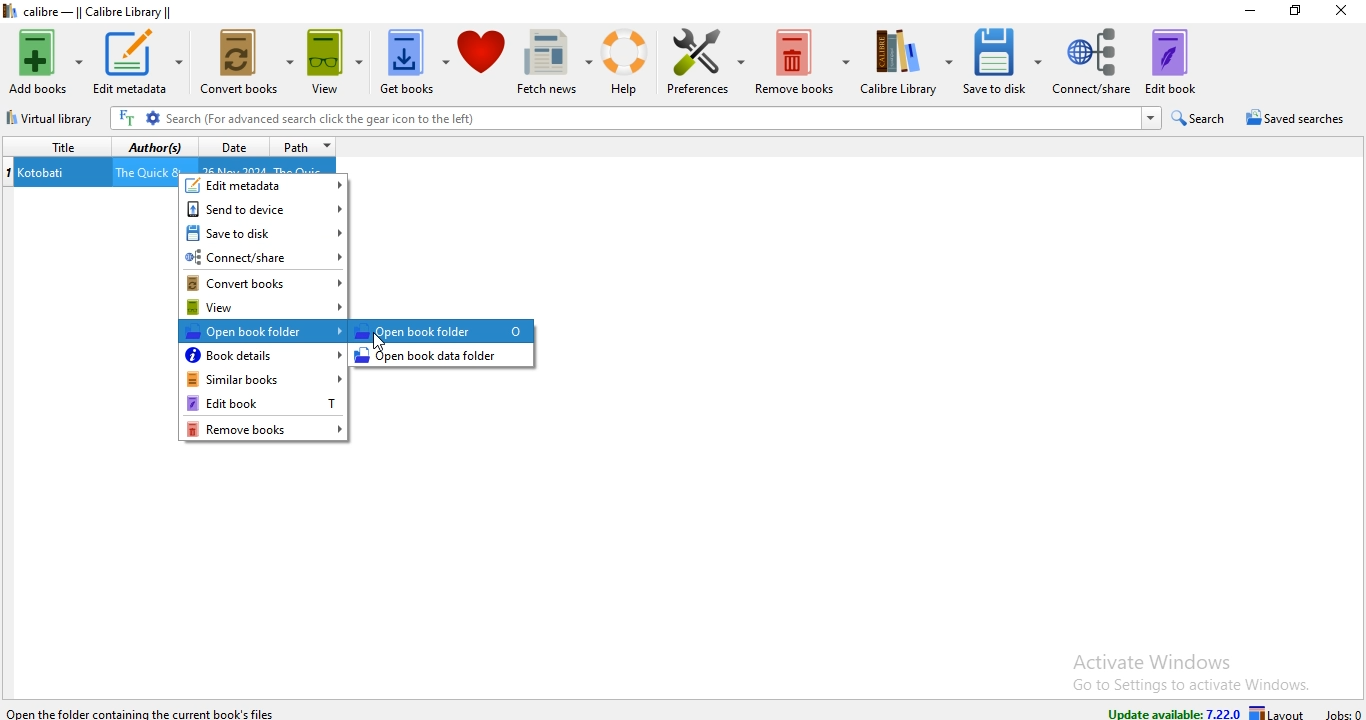  Describe the element at coordinates (635, 118) in the screenshot. I see `Search (For advanced search click the gear icon to the left)` at that location.